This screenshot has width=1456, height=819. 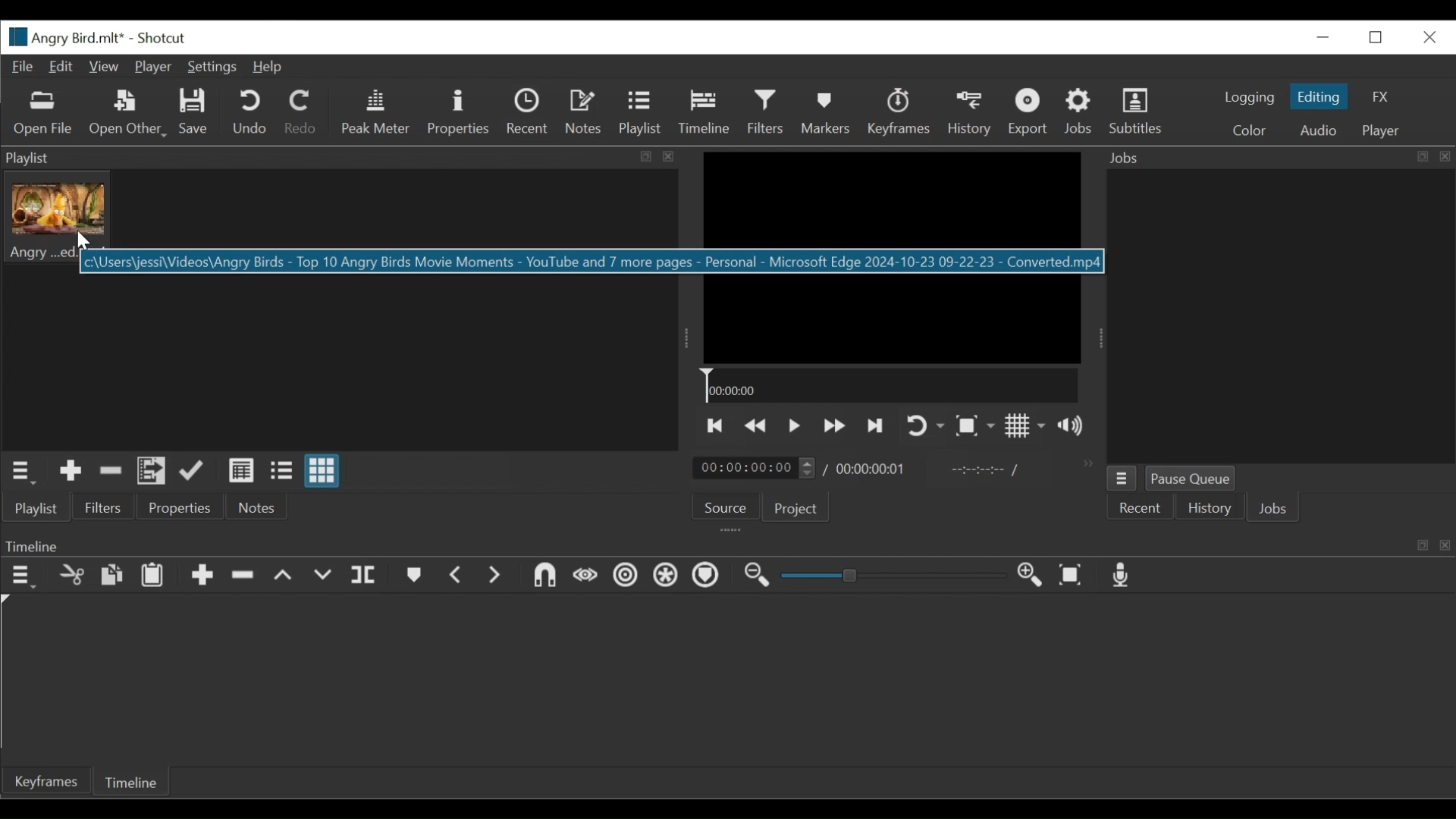 I want to click on Pause Queue, so click(x=1189, y=478).